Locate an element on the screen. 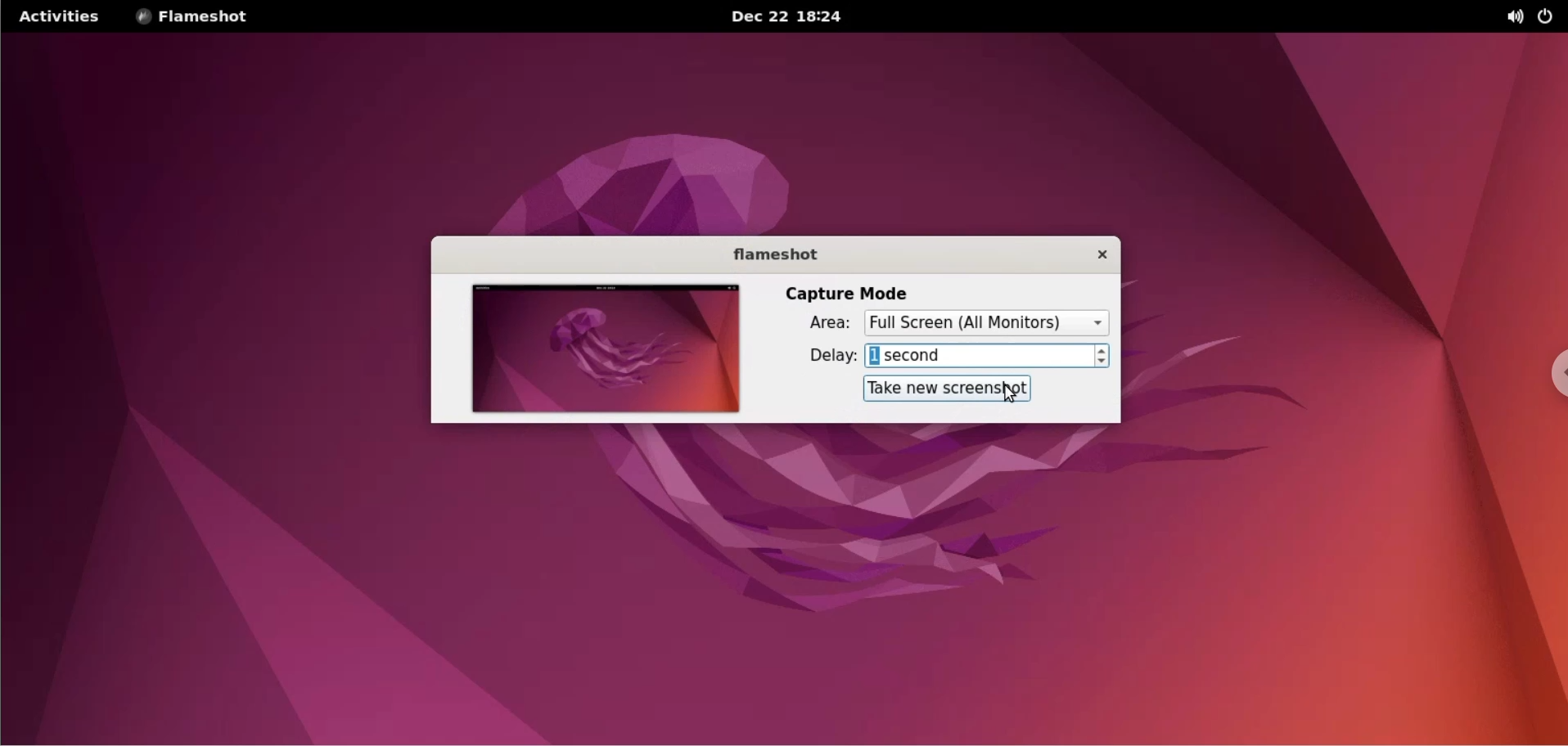 This screenshot has height=746, width=1568. area: is located at coordinates (820, 323).